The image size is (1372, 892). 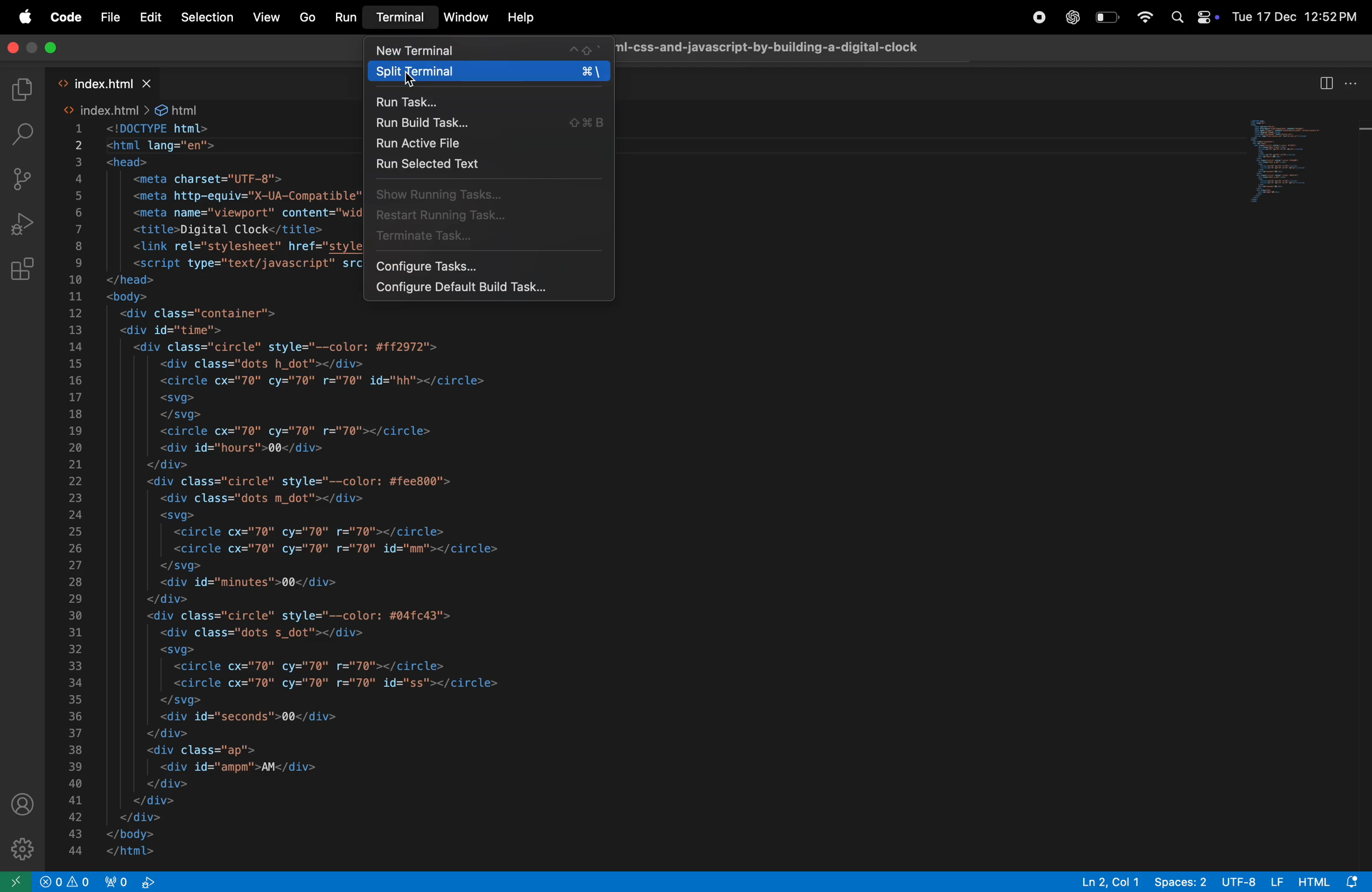 What do you see at coordinates (18, 882) in the screenshot?
I see `open remote` at bounding box center [18, 882].